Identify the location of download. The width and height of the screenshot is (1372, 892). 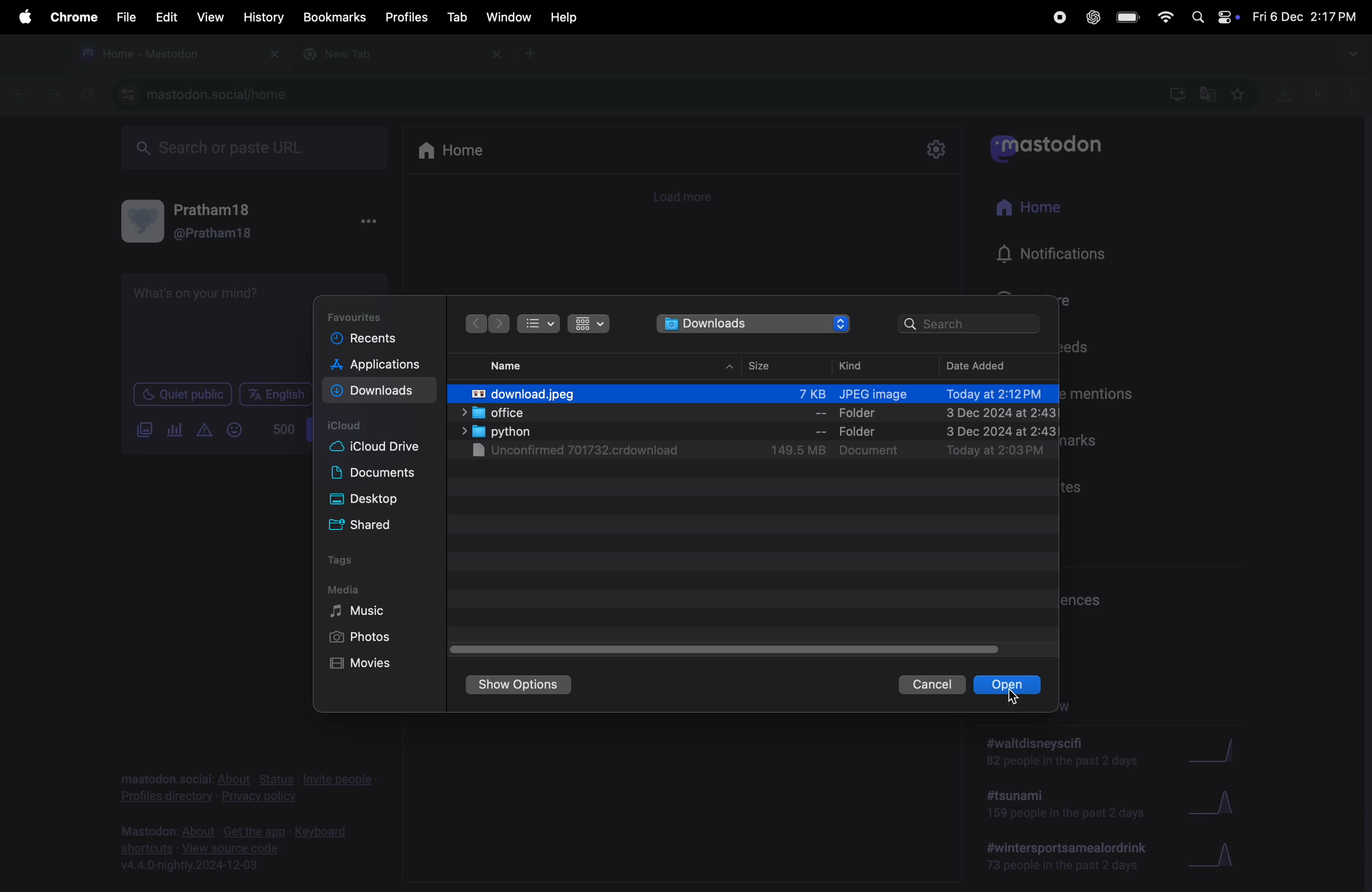
(378, 392).